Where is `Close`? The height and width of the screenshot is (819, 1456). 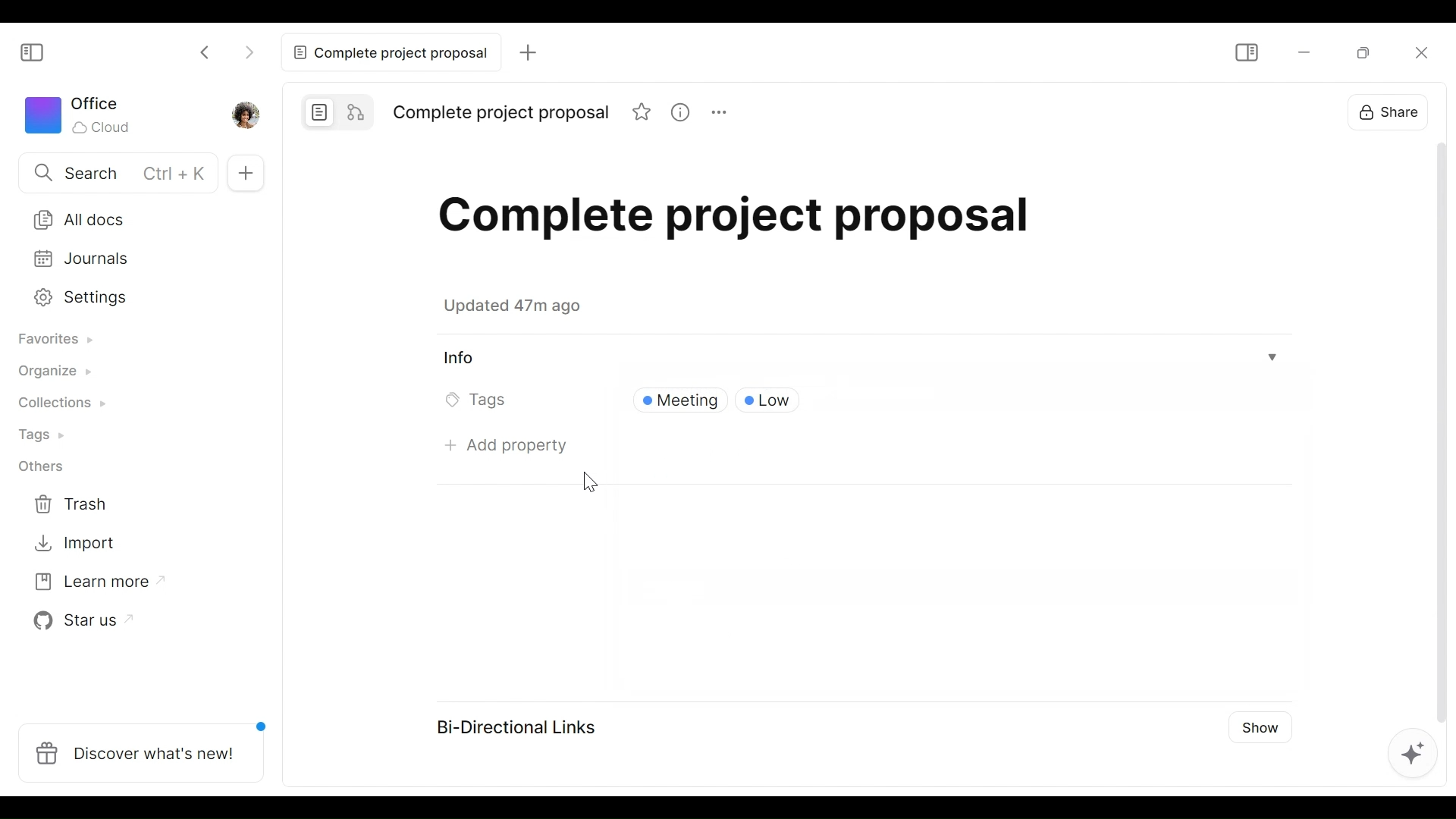
Close is located at coordinates (1418, 52).